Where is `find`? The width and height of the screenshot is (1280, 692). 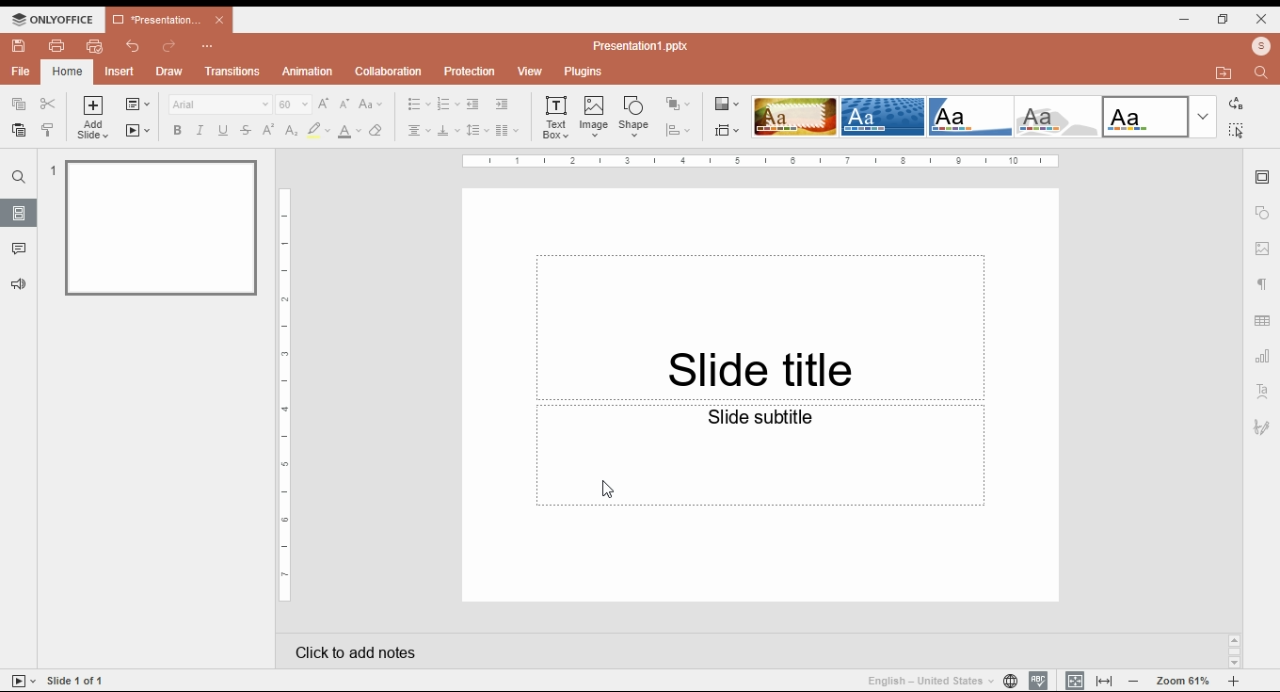 find is located at coordinates (19, 177).